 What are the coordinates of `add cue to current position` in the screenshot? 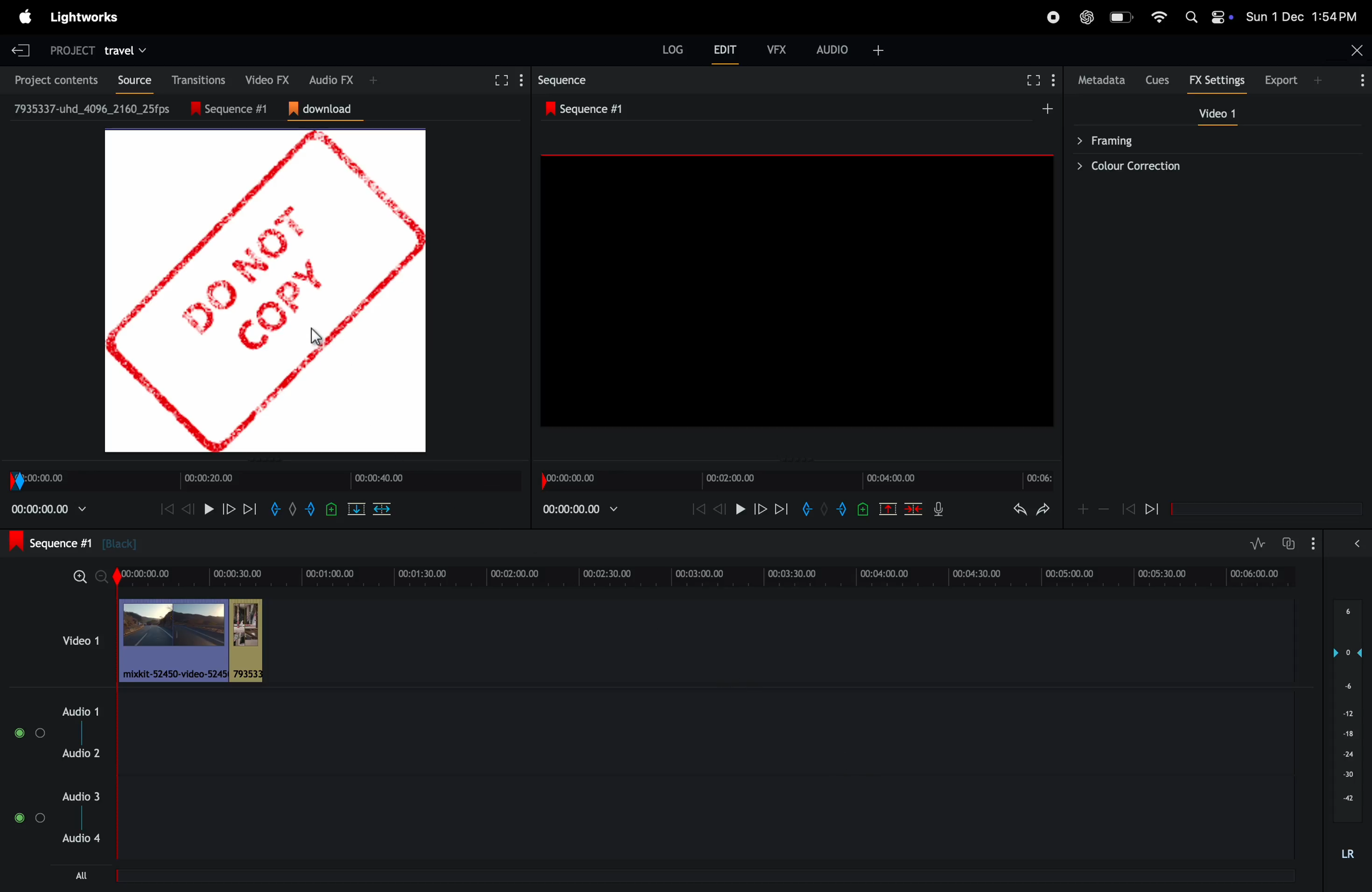 It's located at (863, 509).